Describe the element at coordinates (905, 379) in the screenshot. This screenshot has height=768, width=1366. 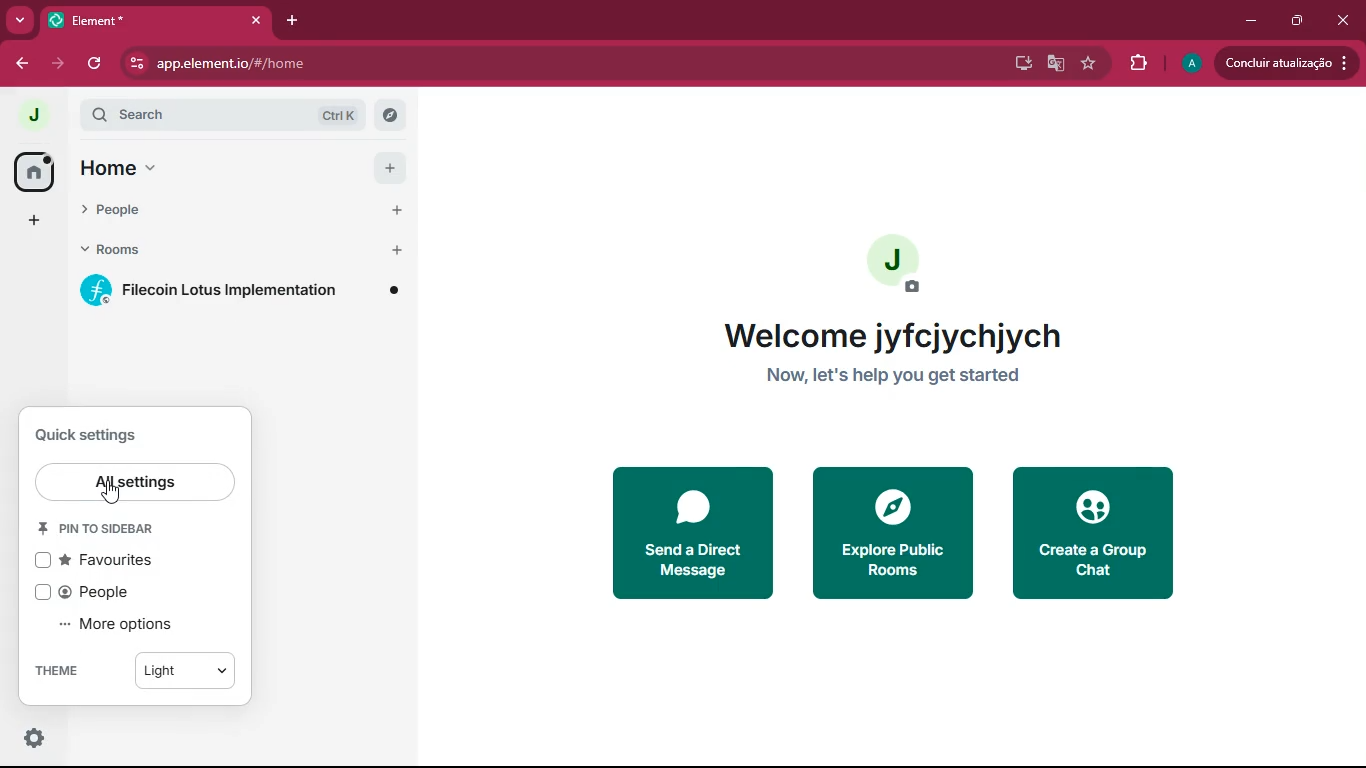
I see `Now, let's help you get started` at that location.